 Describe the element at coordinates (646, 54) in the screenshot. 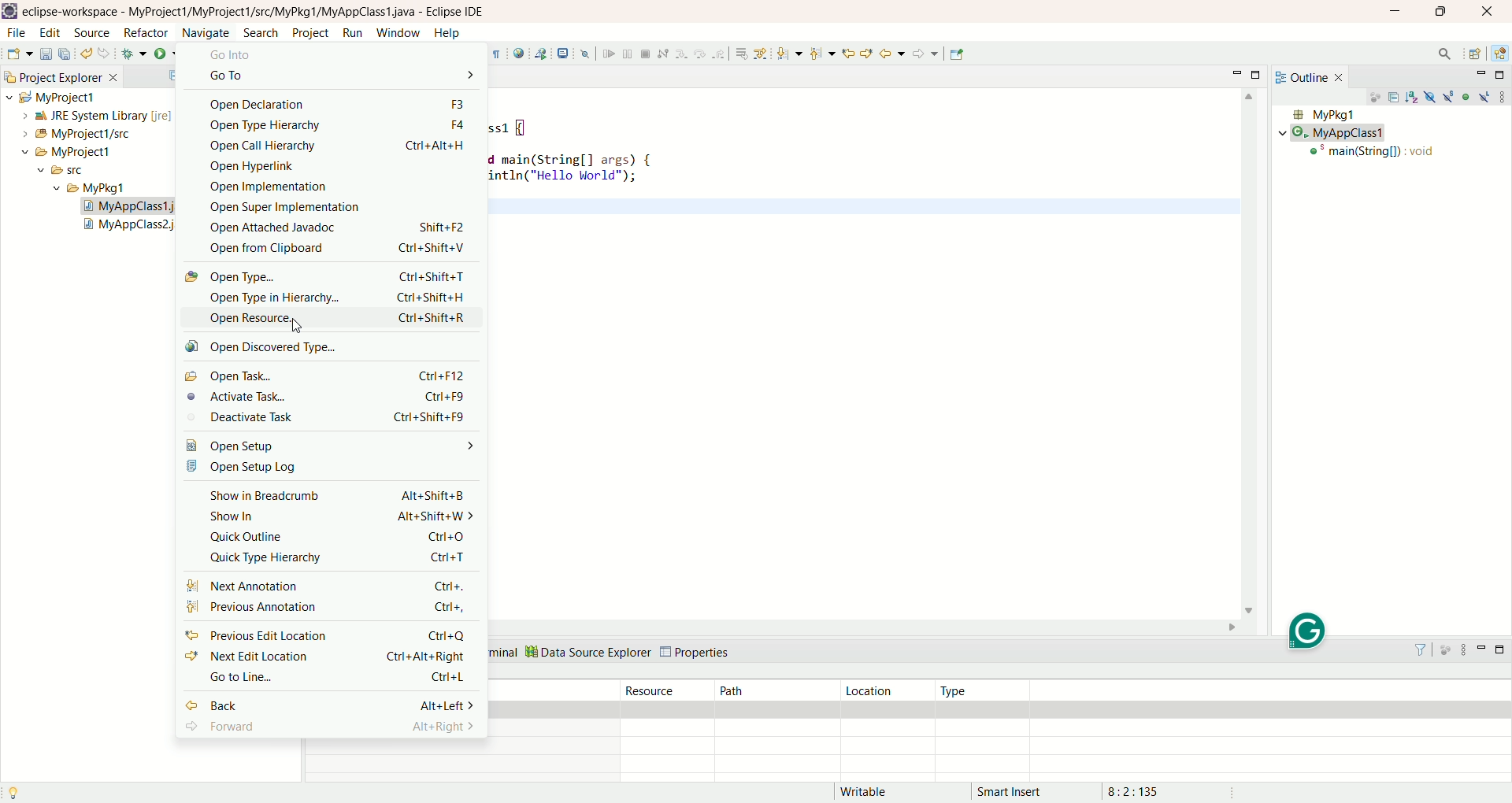

I see `terminate` at that location.